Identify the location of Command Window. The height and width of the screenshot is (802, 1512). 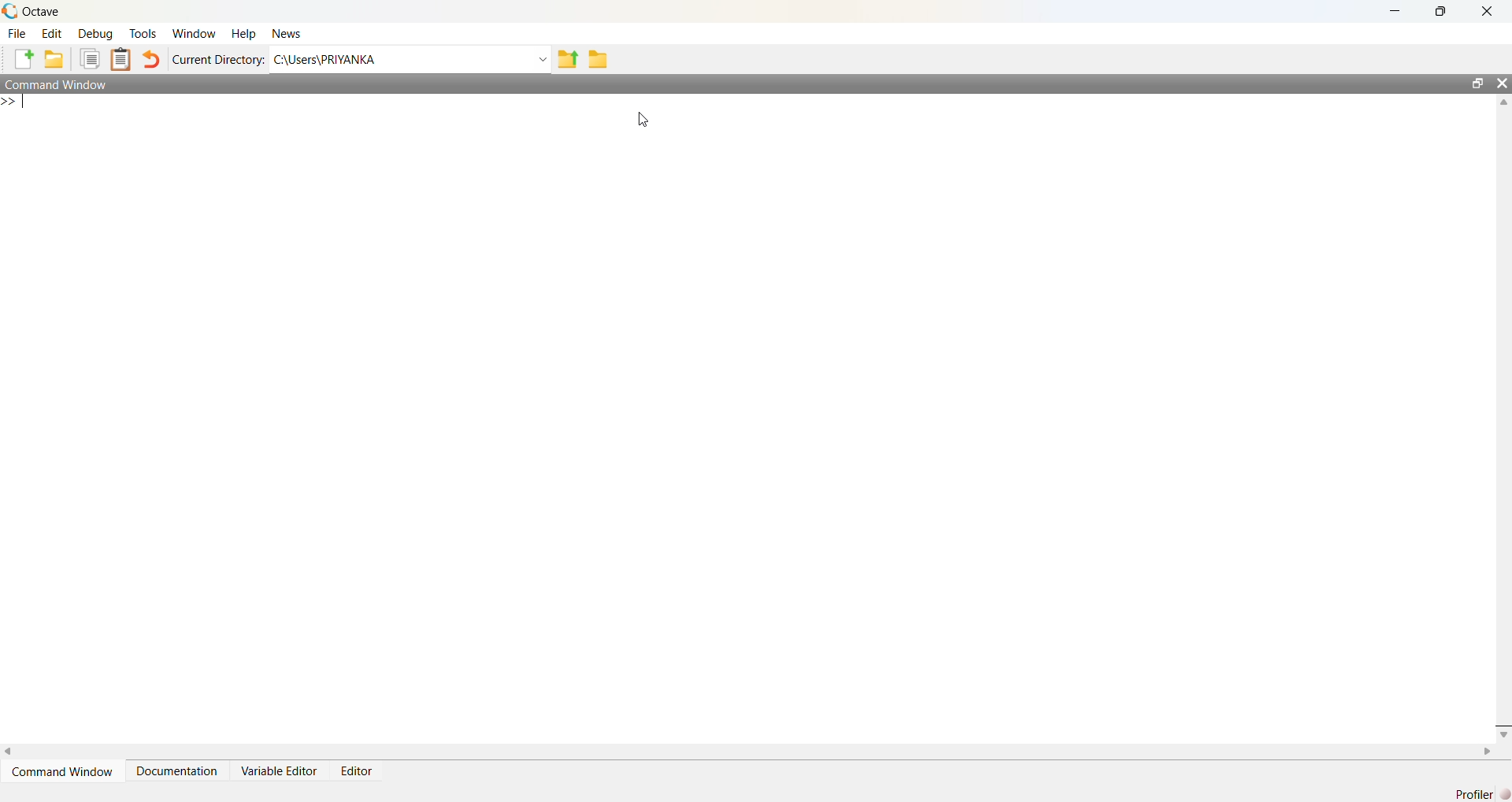
(62, 771).